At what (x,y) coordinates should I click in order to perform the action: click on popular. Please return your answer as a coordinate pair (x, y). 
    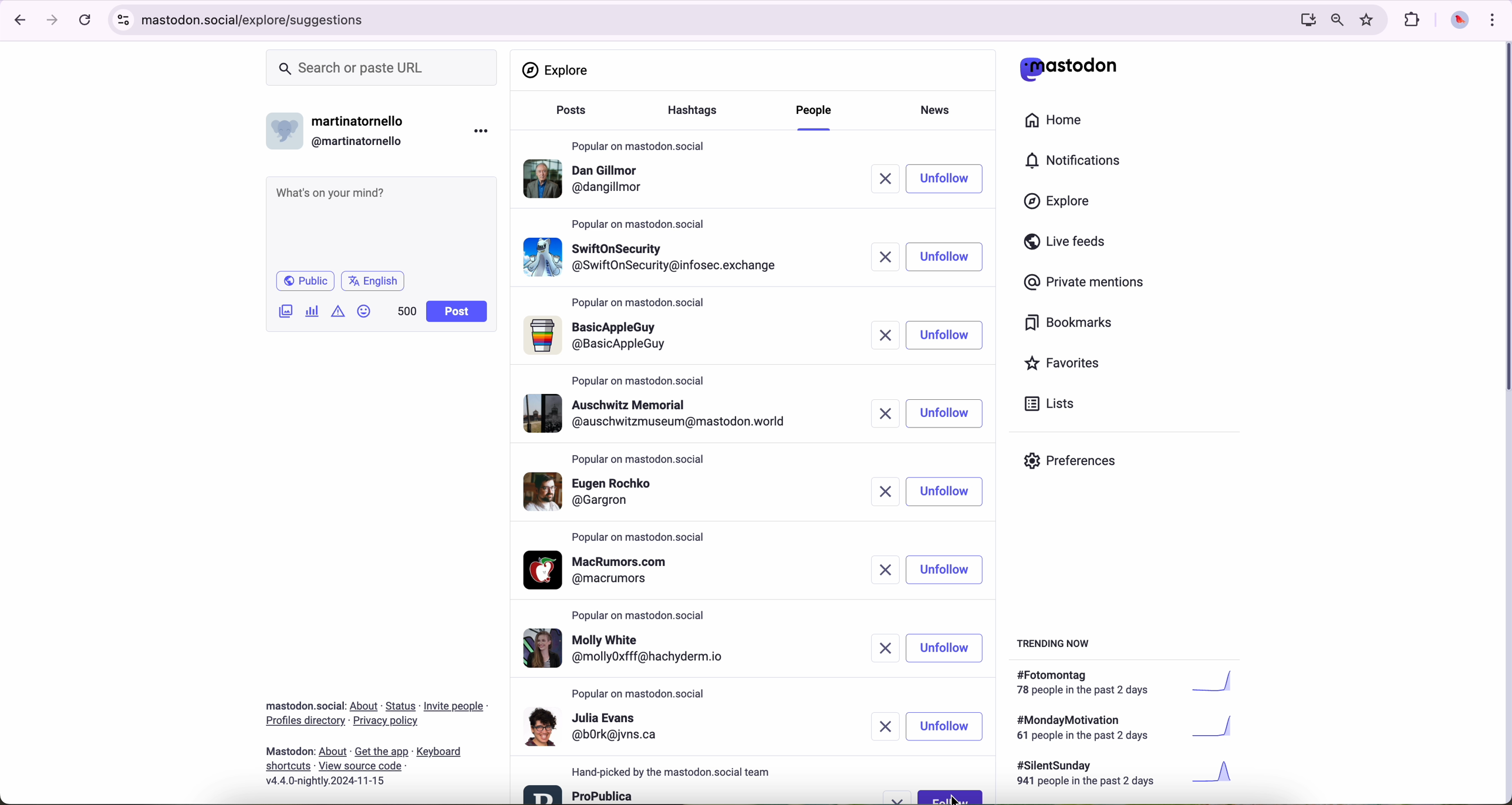
    Looking at the image, I should click on (639, 380).